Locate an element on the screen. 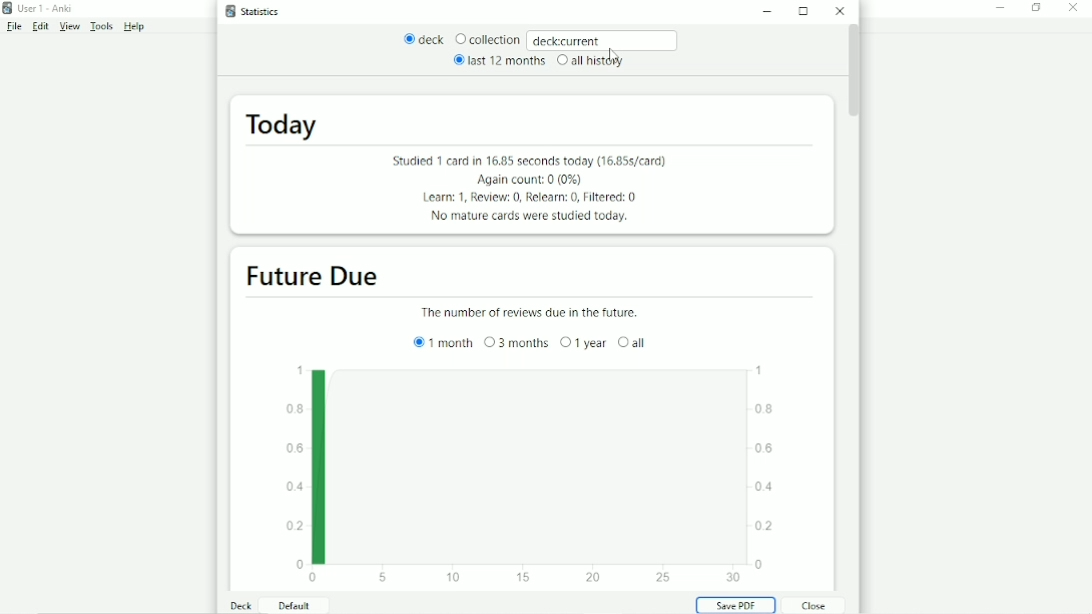  Cursor is located at coordinates (614, 55).